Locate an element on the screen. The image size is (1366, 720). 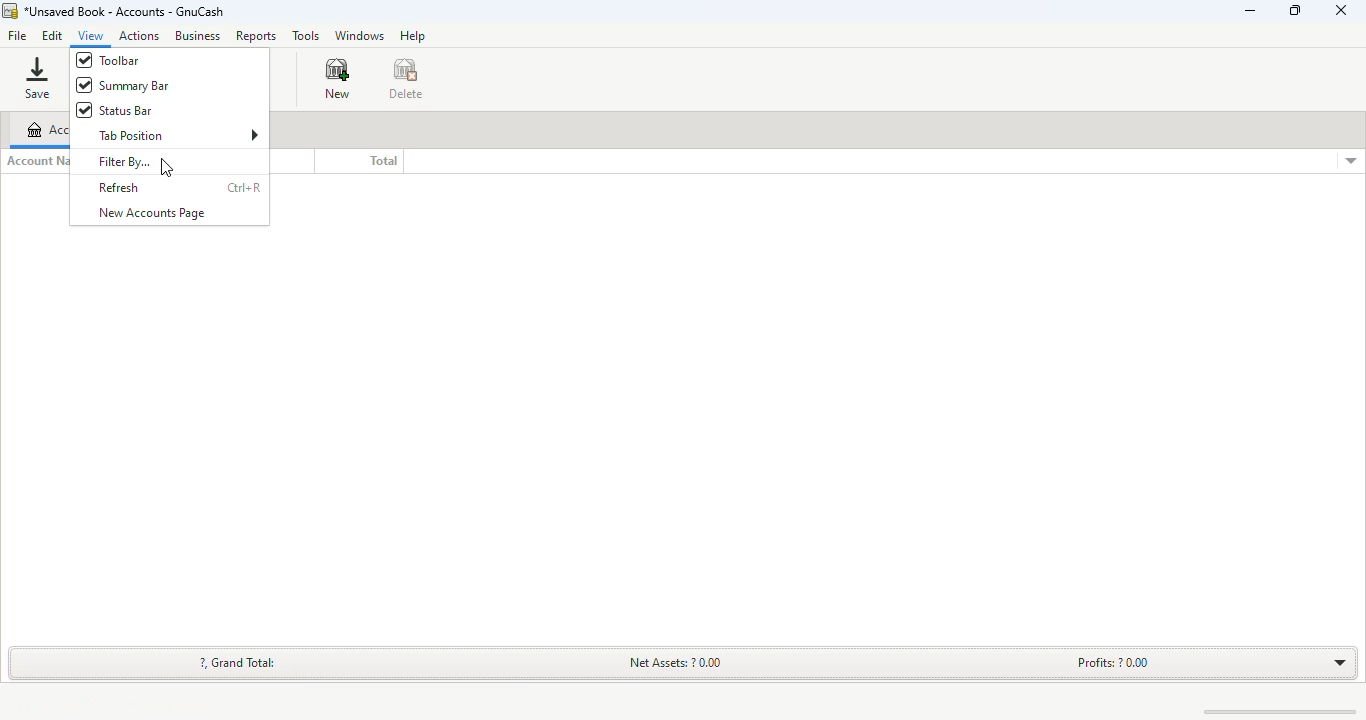
new is located at coordinates (337, 79).